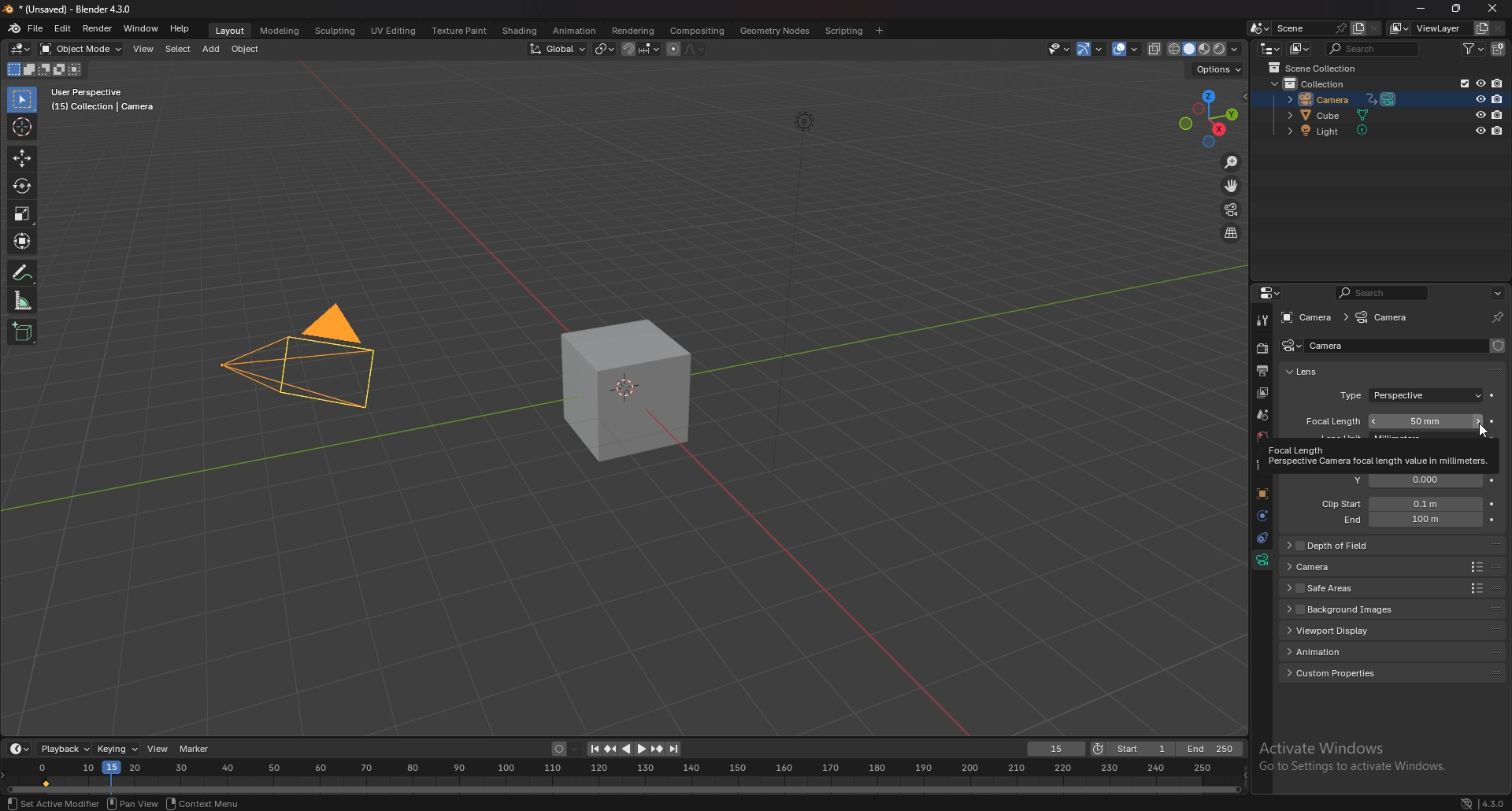 The height and width of the screenshot is (811, 1512). Describe the element at coordinates (1373, 48) in the screenshot. I see `search` at that location.